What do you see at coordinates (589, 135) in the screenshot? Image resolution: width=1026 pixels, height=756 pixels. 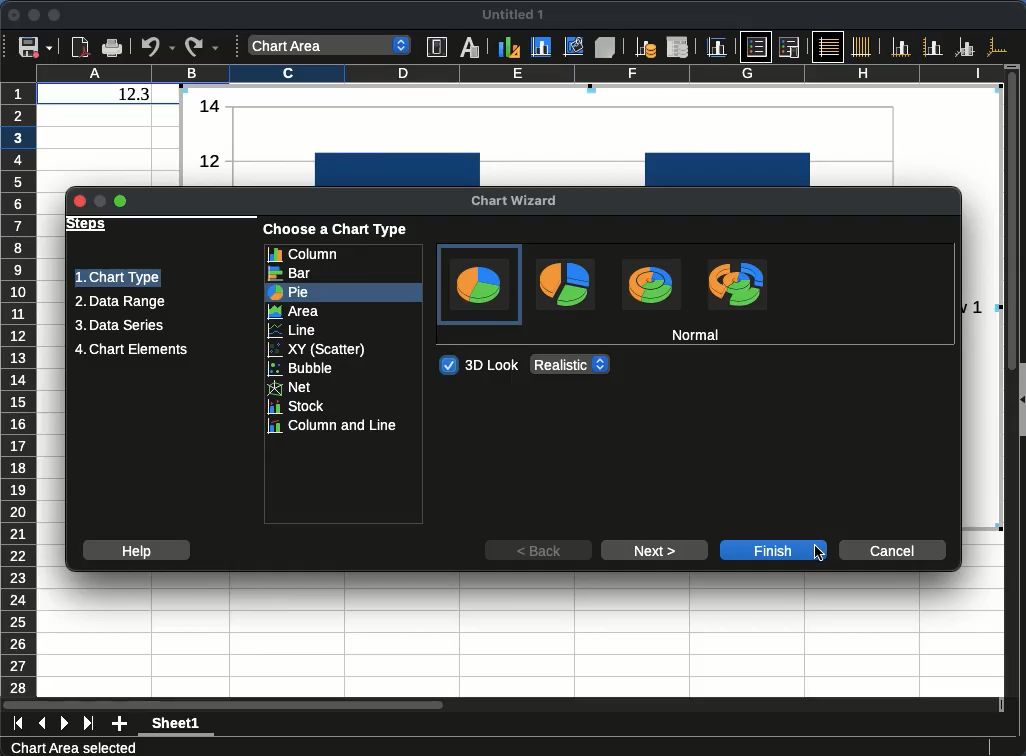 I see `Normal bar column chart` at bounding box center [589, 135].